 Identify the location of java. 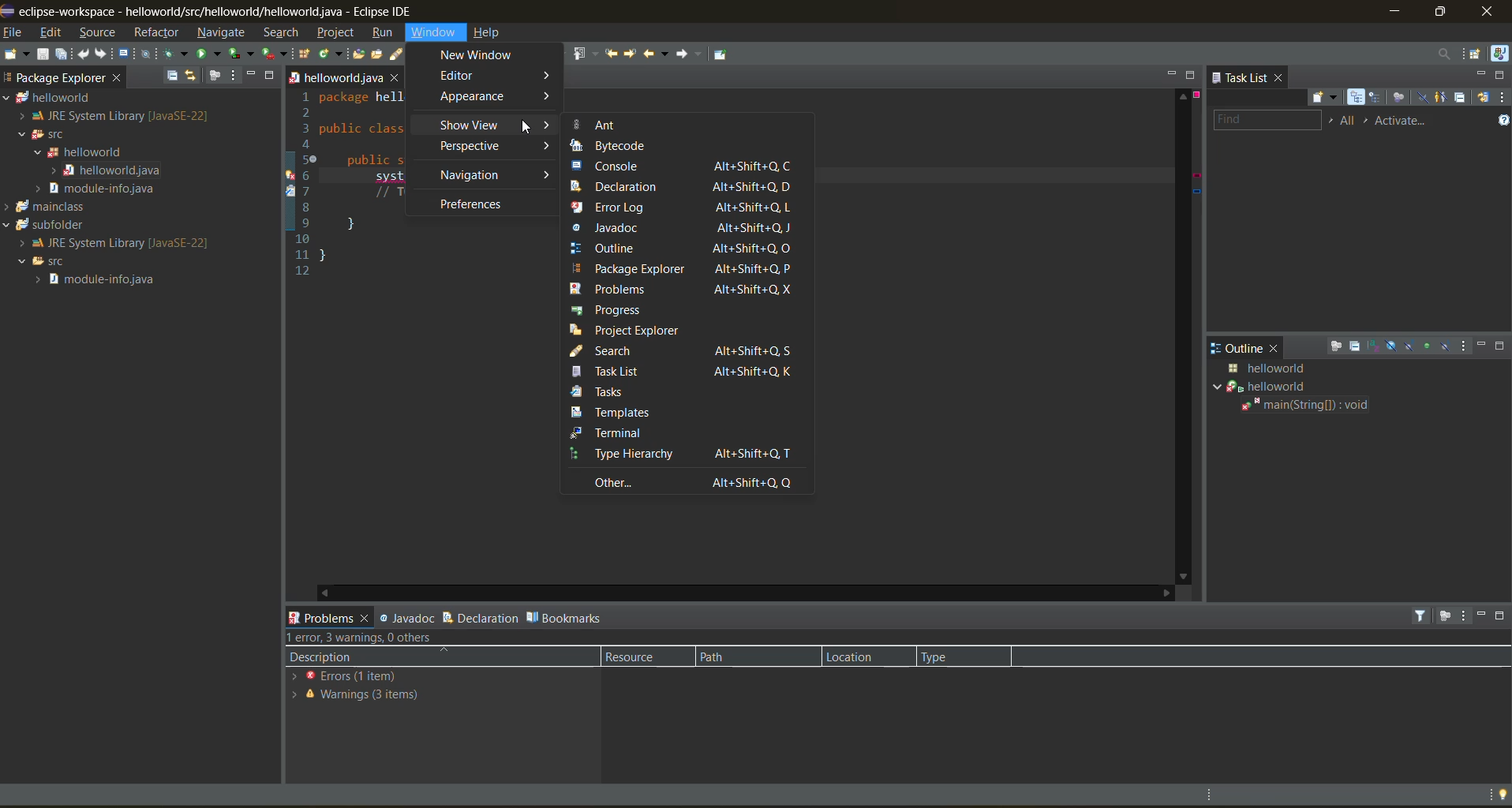
(1499, 55).